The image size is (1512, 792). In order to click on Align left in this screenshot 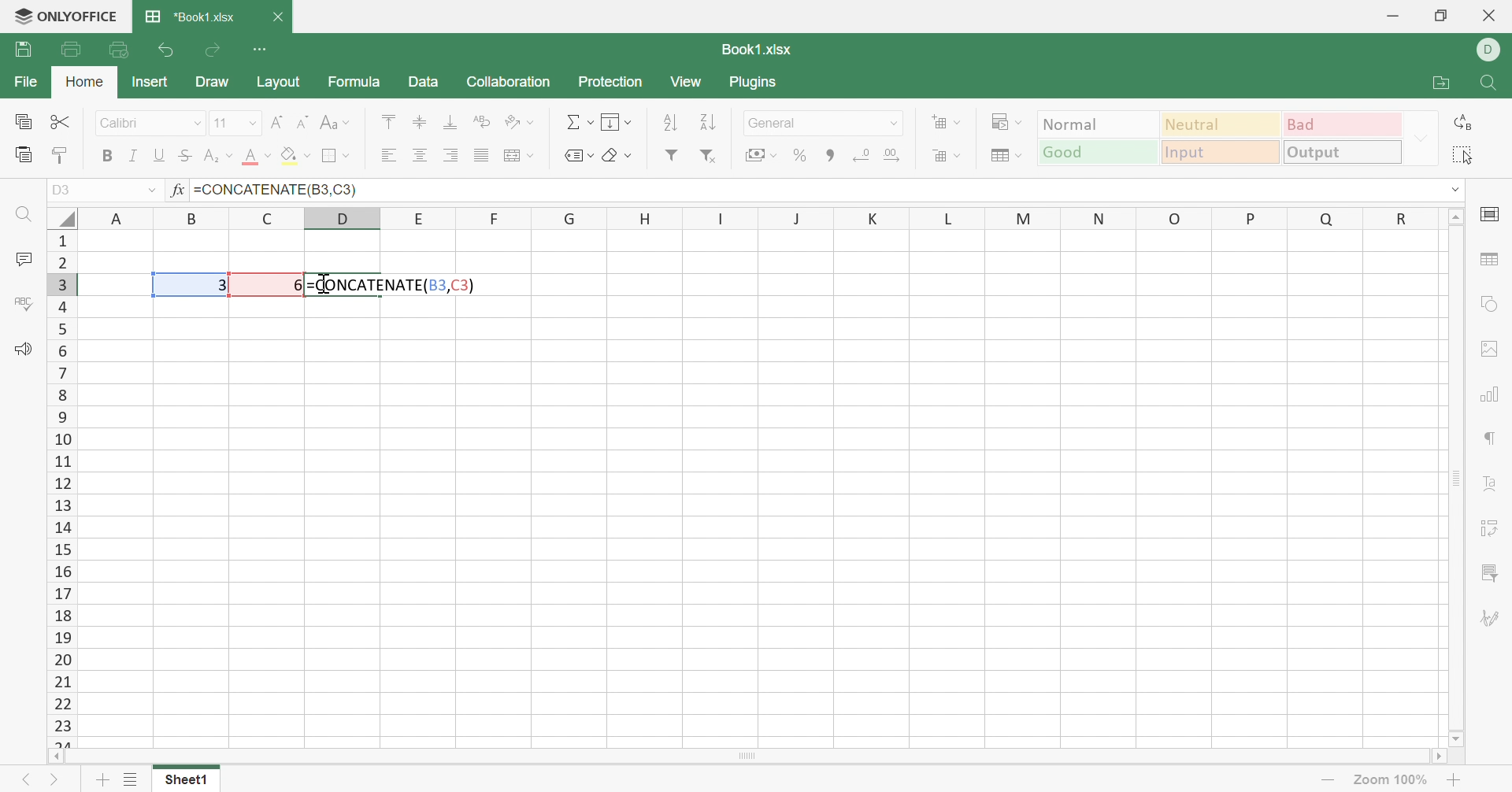, I will do `click(391, 156)`.